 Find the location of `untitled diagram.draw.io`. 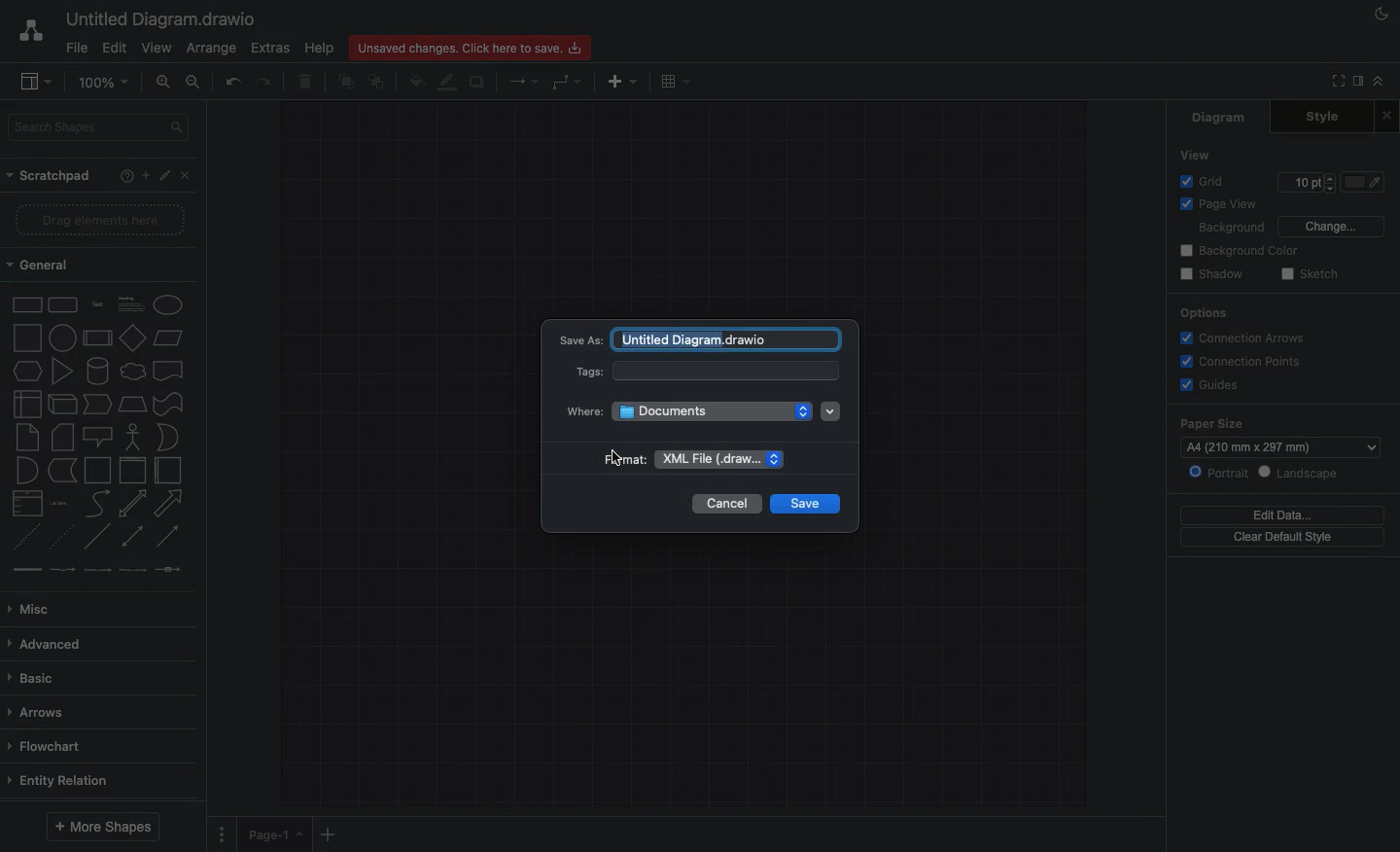

untitled diagram.draw.io is located at coordinates (725, 337).